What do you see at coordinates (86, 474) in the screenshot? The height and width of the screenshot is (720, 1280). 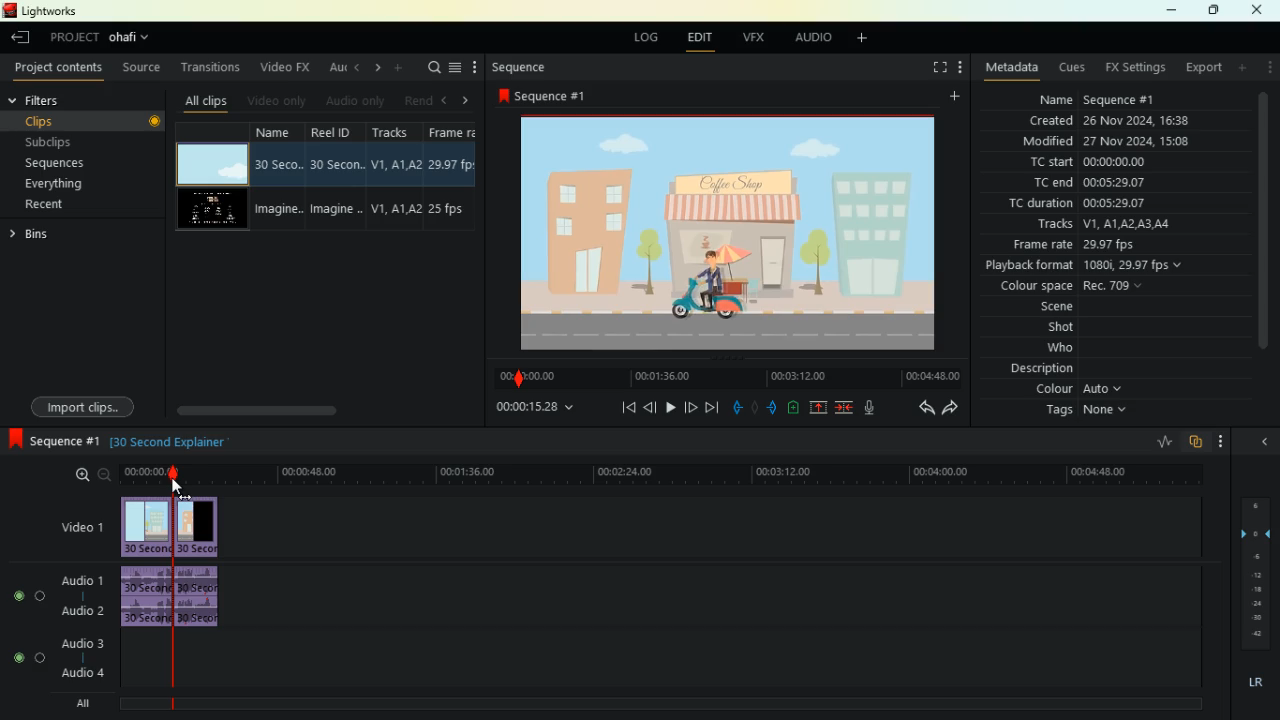 I see `zoom` at bounding box center [86, 474].